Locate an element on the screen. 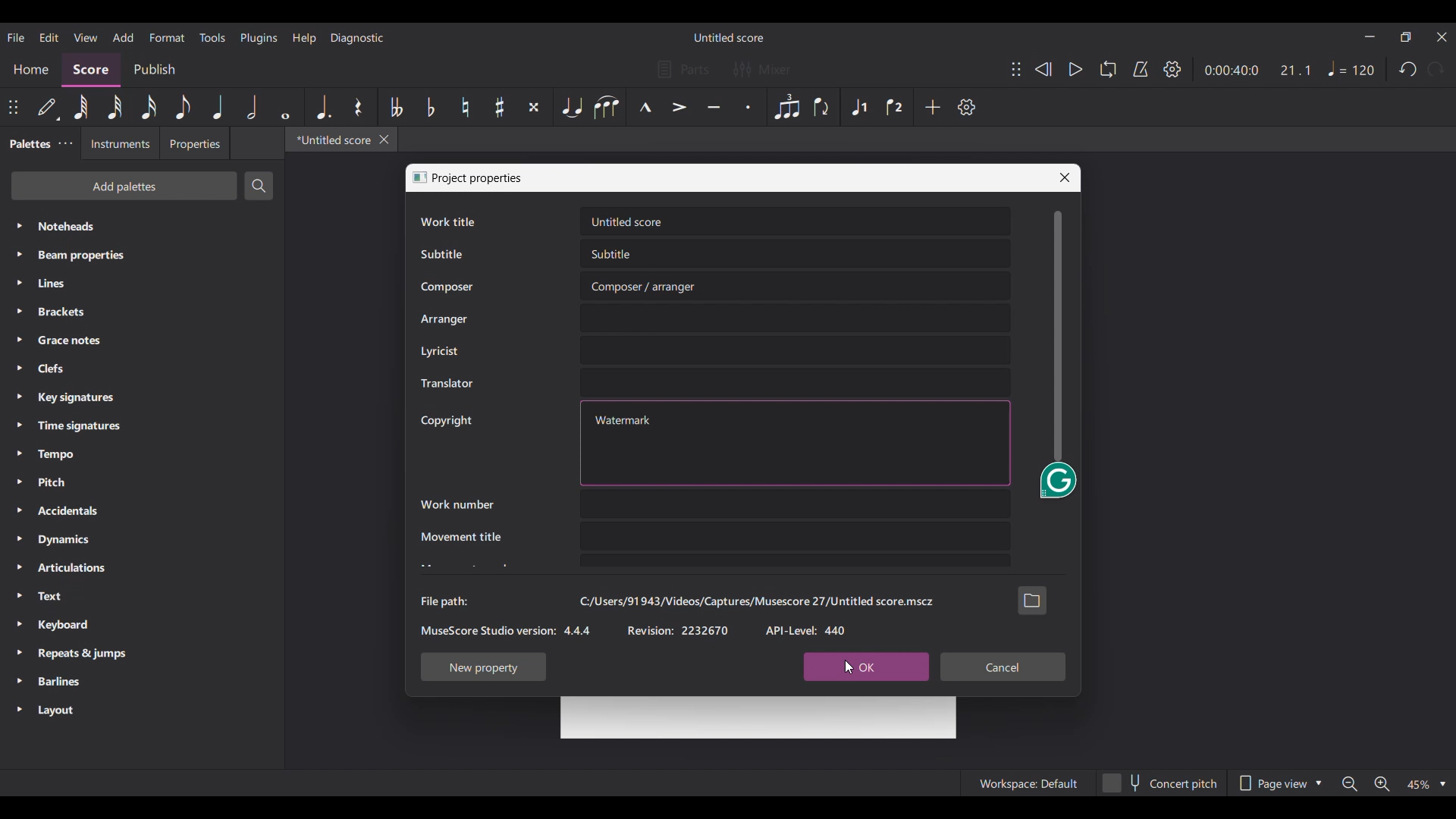 This screenshot has height=819, width=1456. Workspace: Default is located at coordinates (1027, 783).